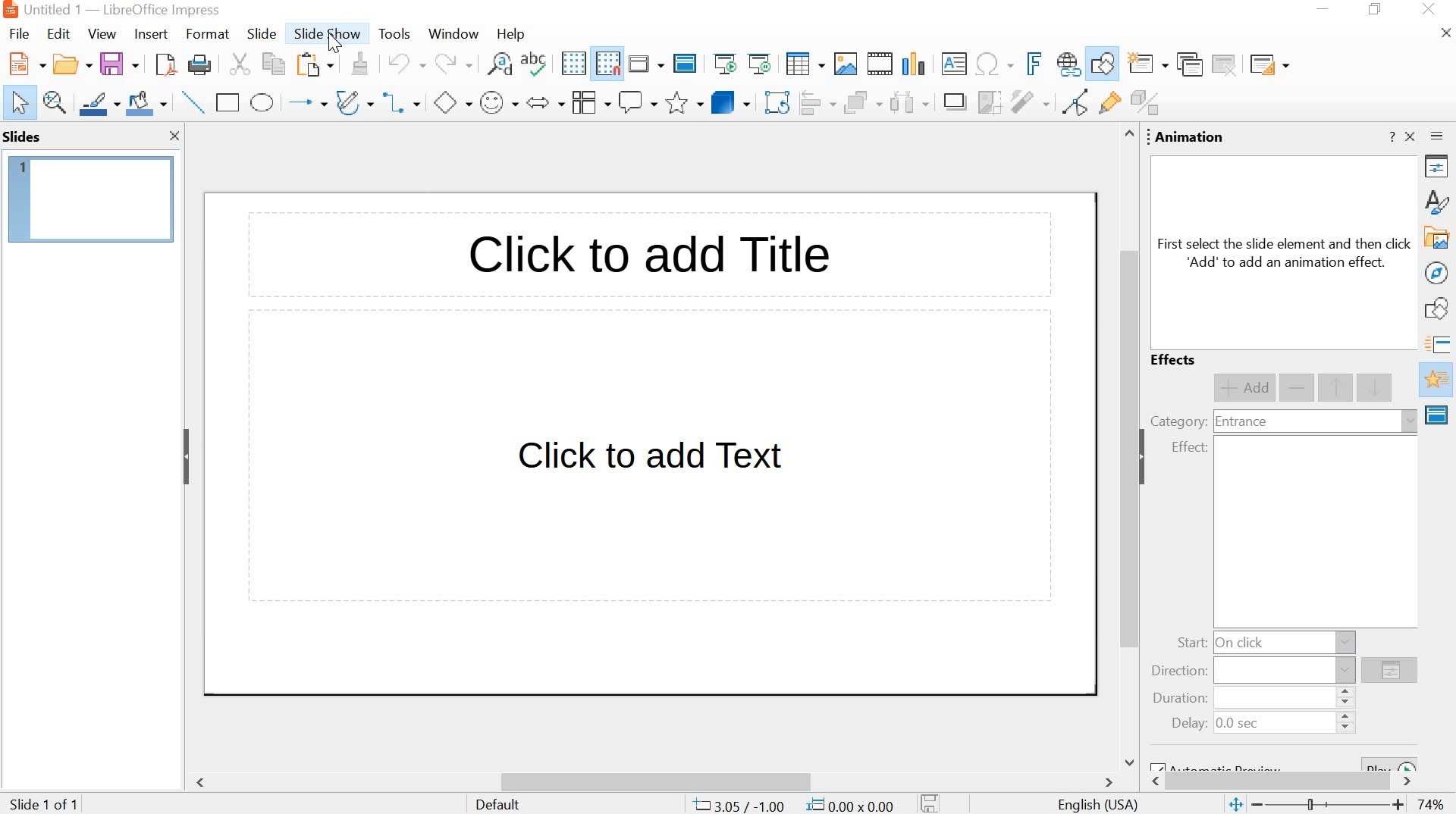 Image resolution: width=1456 pixels, height=814 pixels. Describe the element at coordinates (1175, 361) in the screenshot. I see `effects` at that location.